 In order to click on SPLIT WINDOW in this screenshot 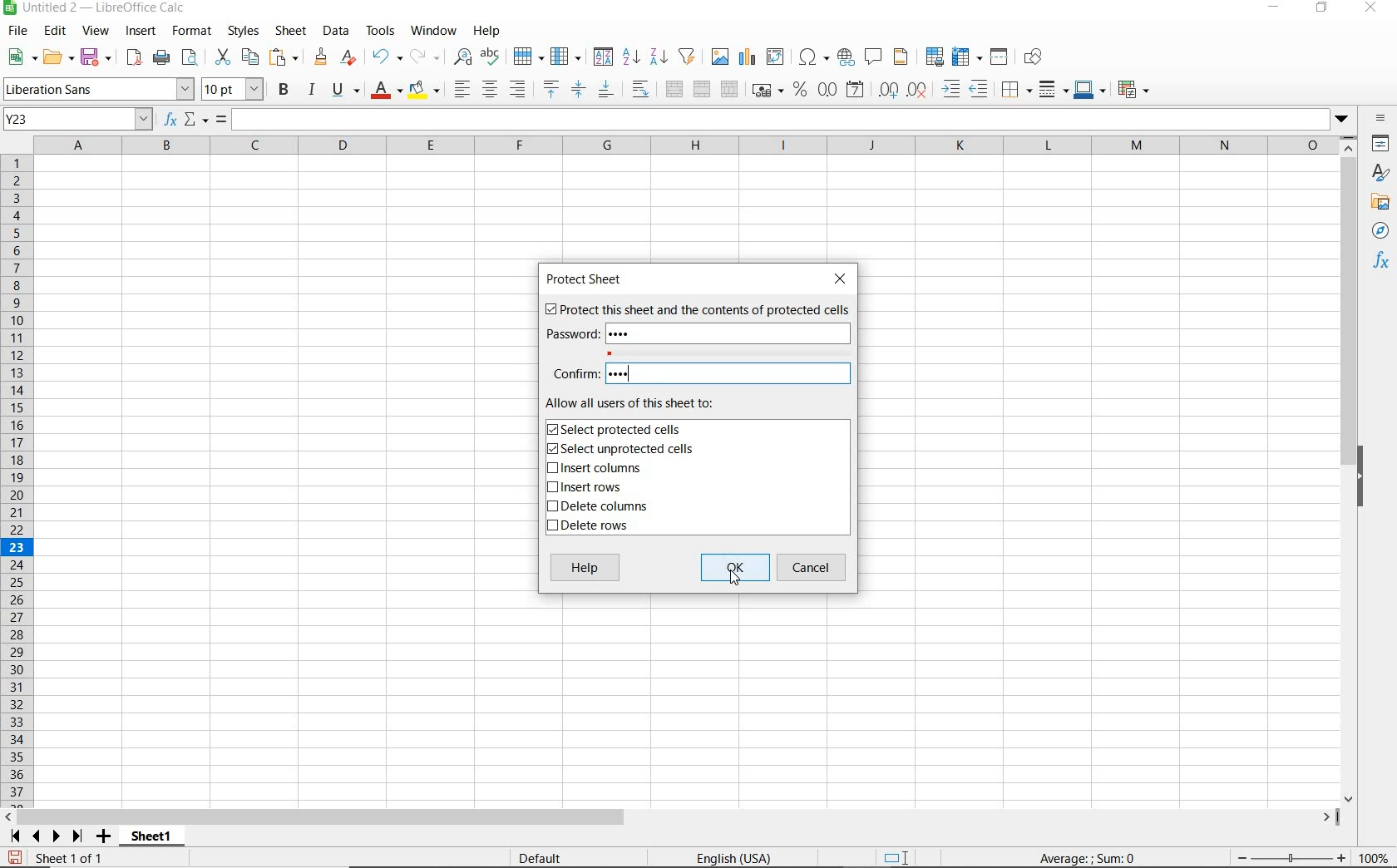, I will do `click(1001, 56)`.